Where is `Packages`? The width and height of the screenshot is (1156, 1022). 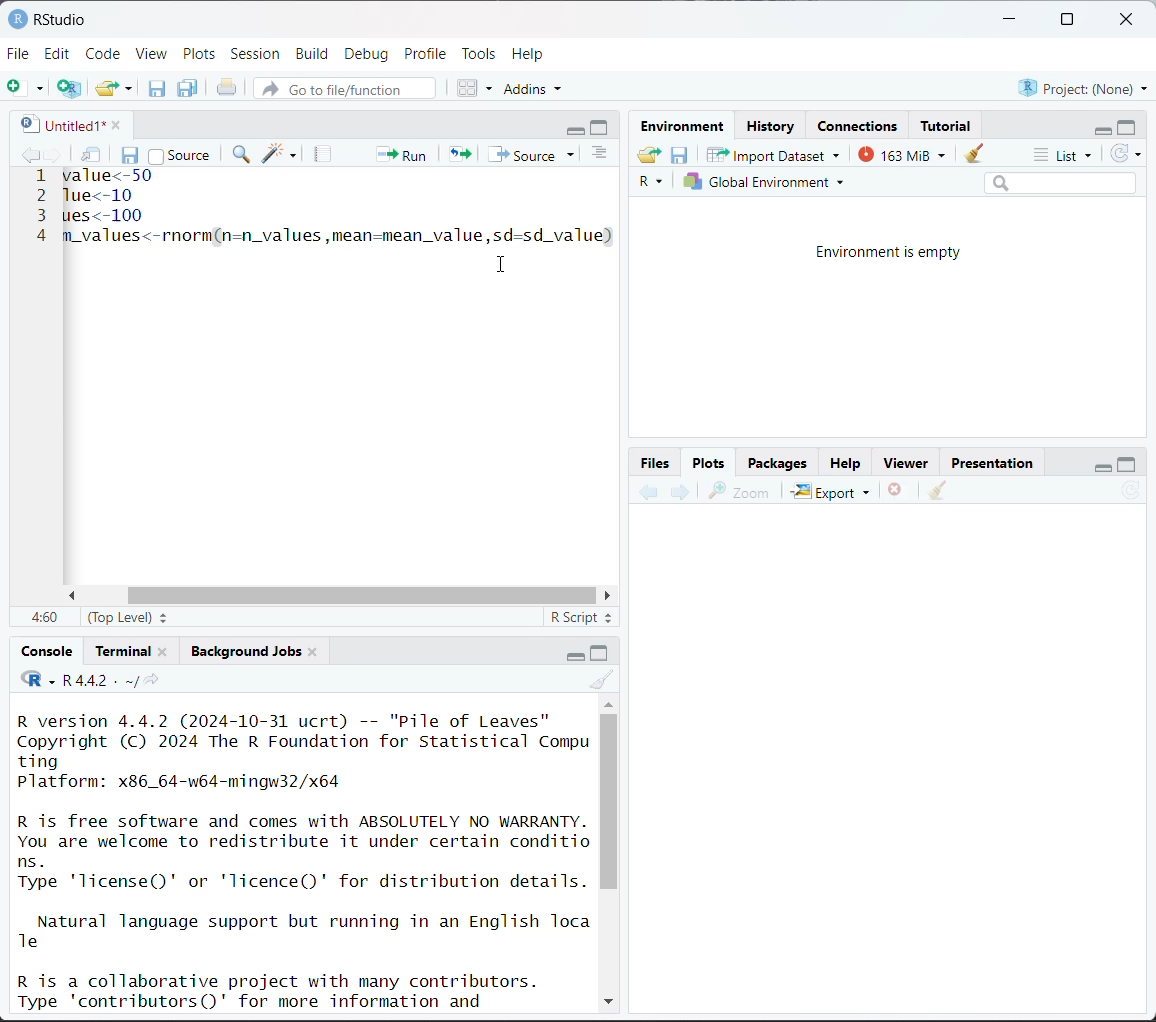 Packages is located at coordinates (777, 462).